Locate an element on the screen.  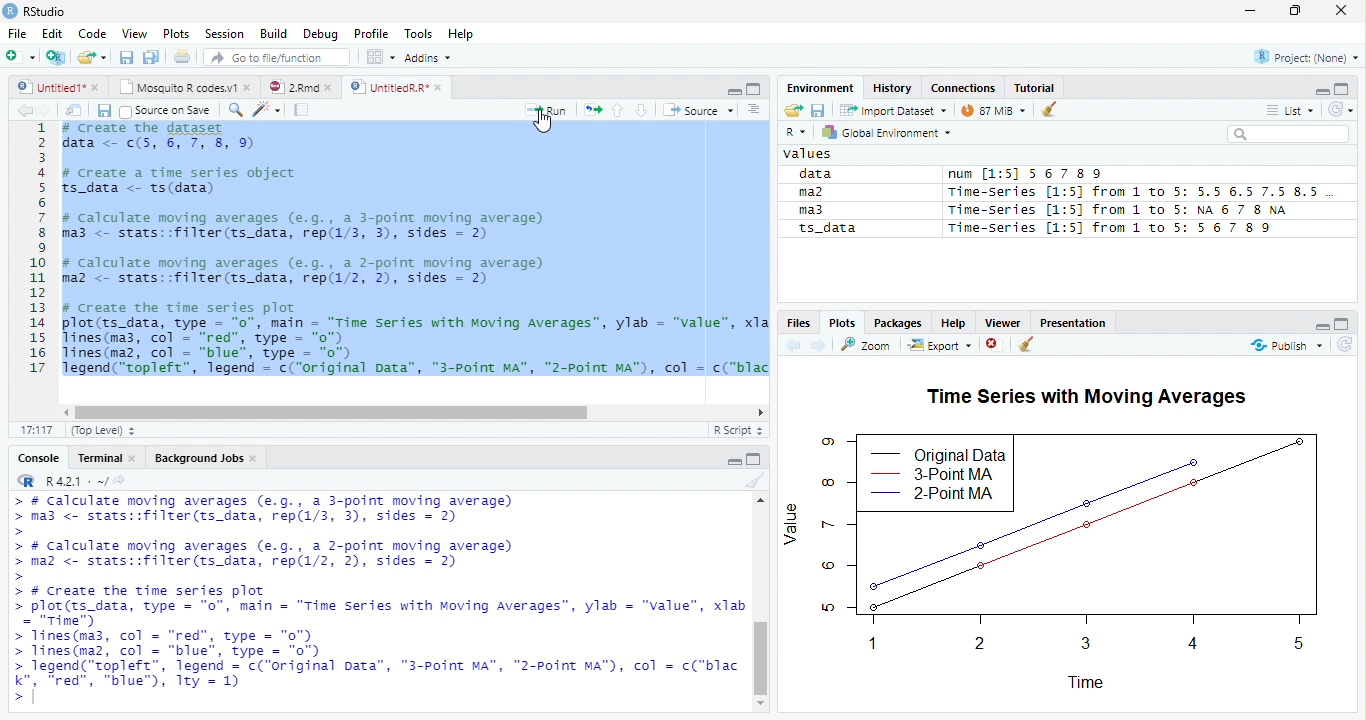
cursor is located at coordinates (541, 119).